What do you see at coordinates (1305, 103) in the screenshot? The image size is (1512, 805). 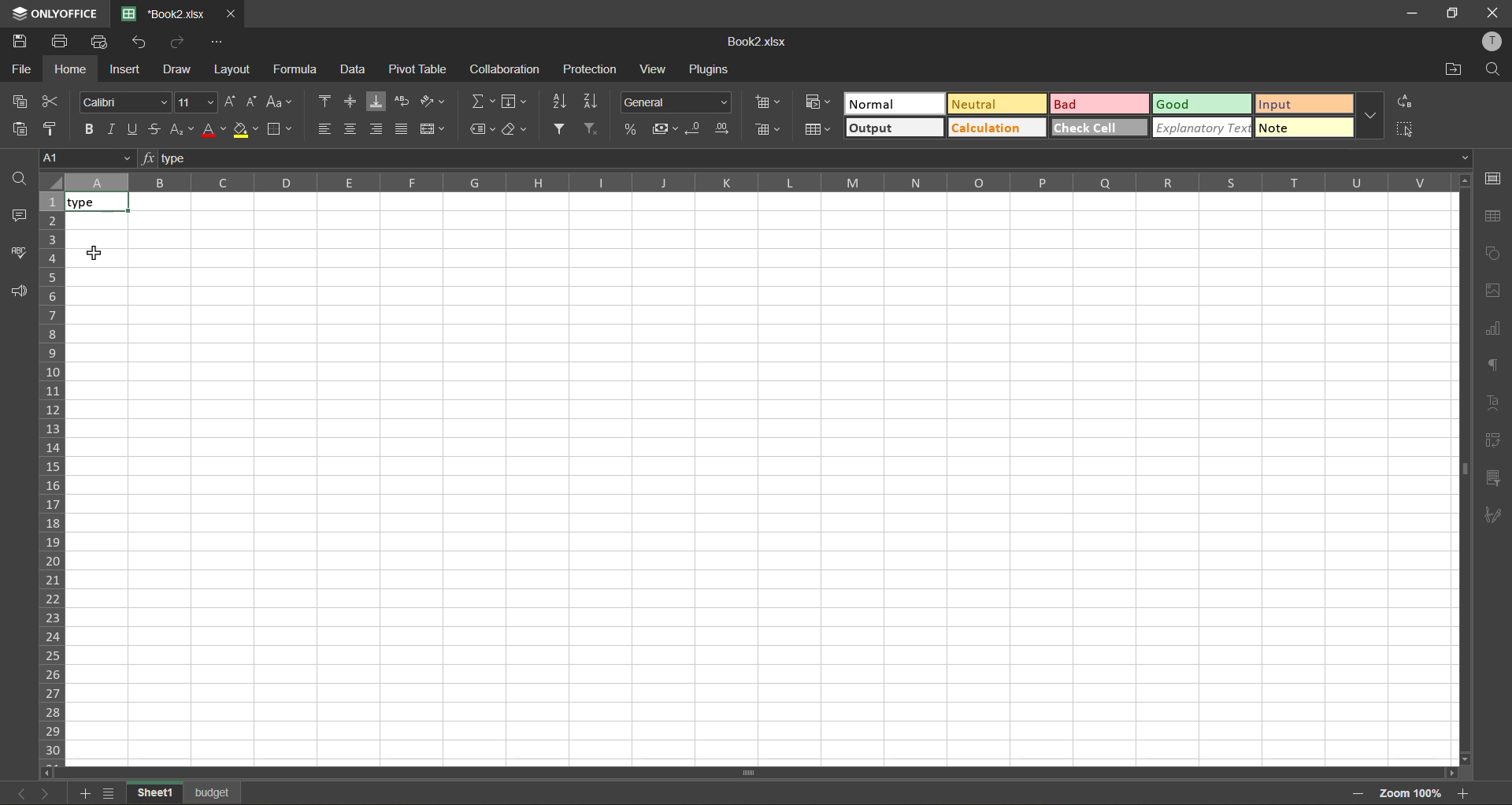 I see `input` at bounding box center [1305, 103].